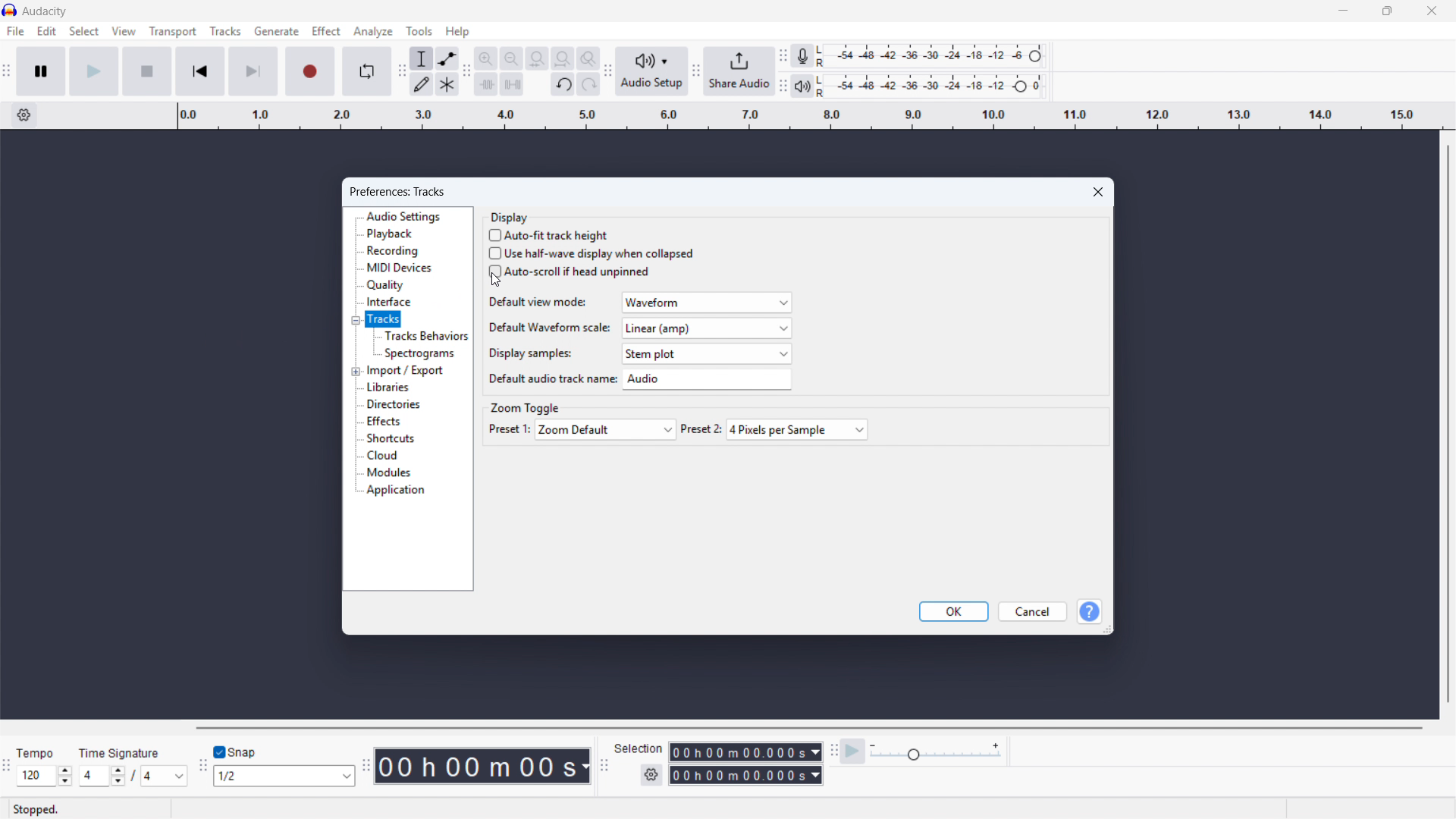 The height and width of the screenshot is (819, 1456). What do you see at coordinates (1430, 11) in the screenshot?
I see `close` at bounding box center [1430, 11].